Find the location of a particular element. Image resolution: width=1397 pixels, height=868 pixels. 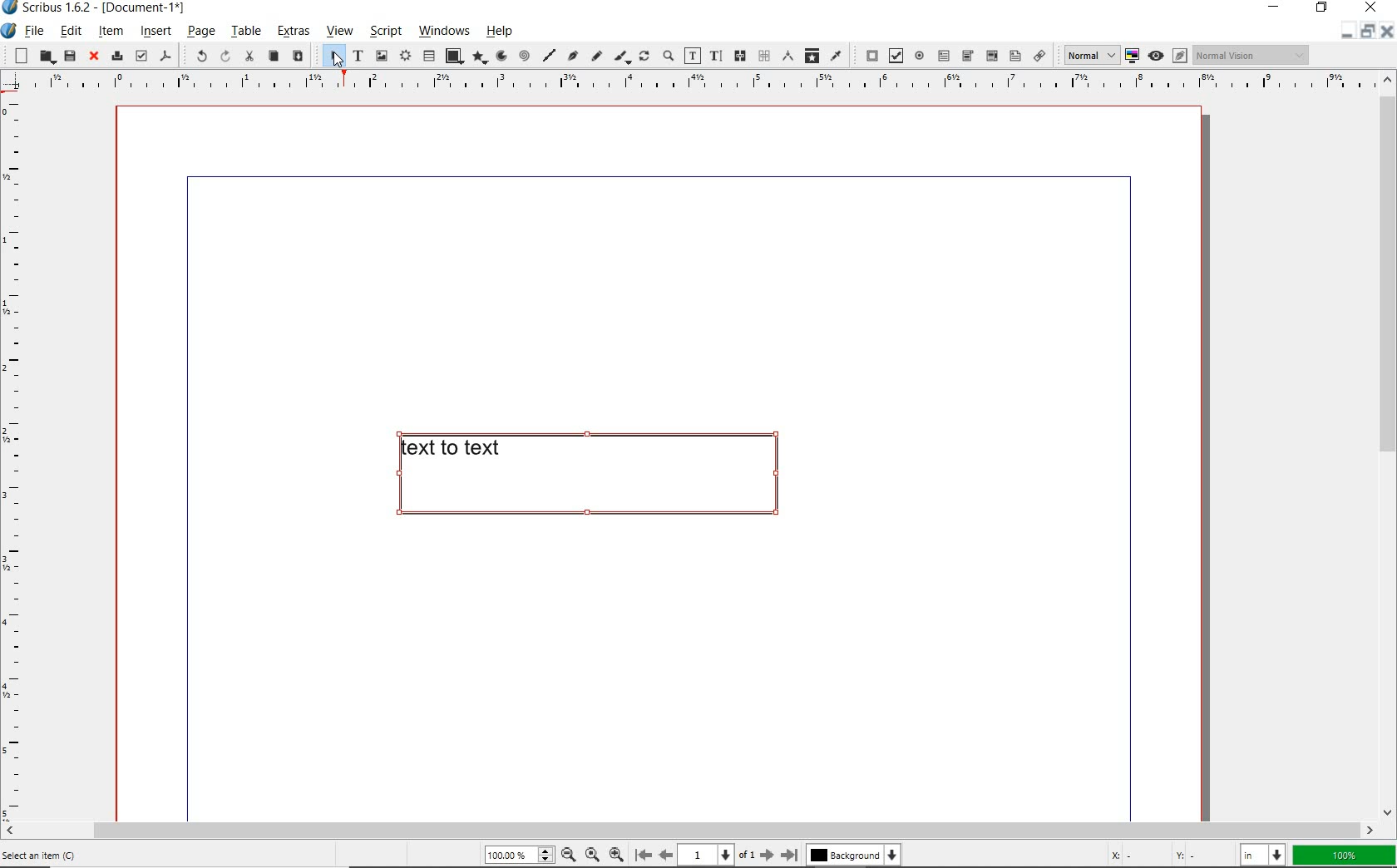

edit contents of frame is located at coordinates (693, 57).